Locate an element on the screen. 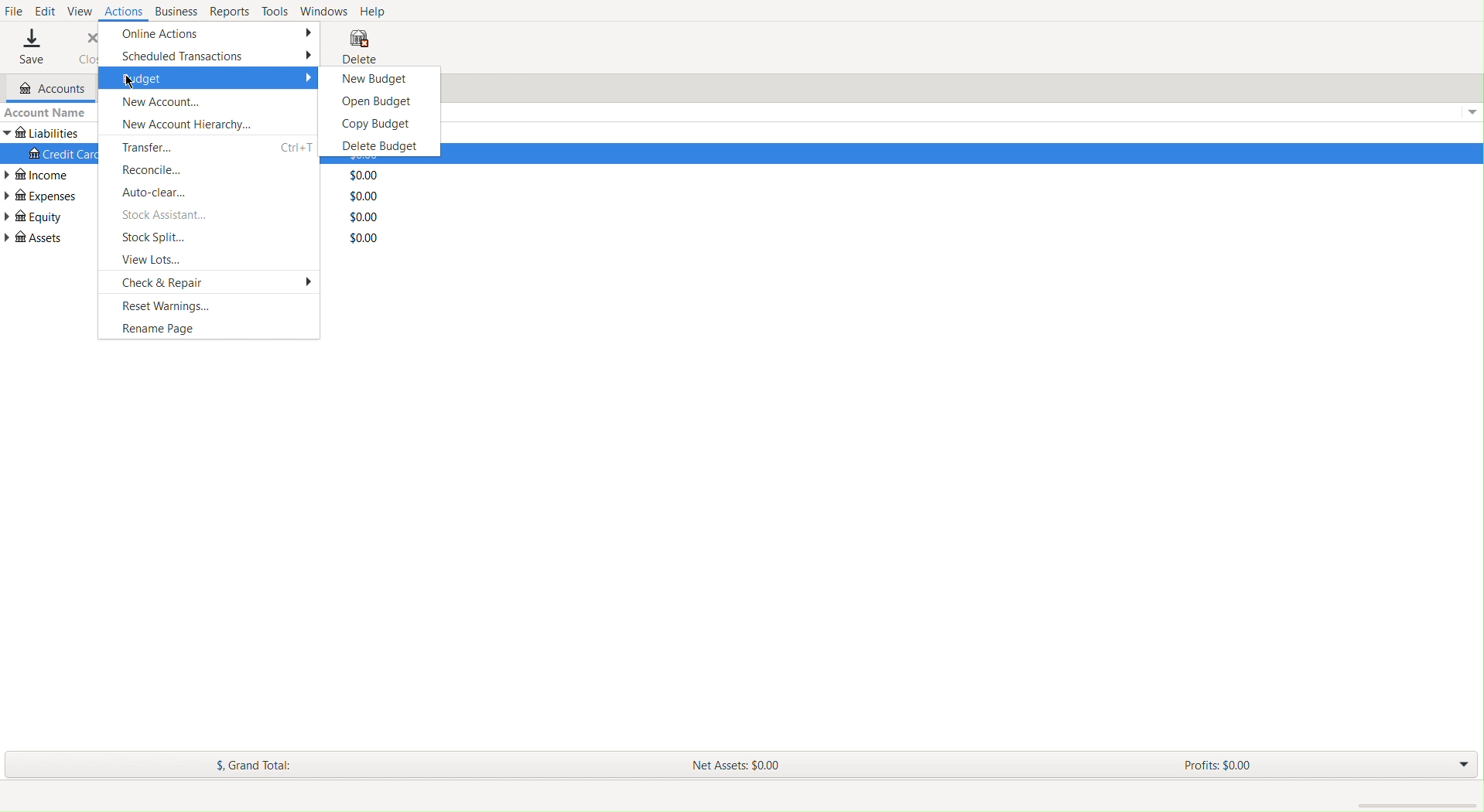 The height and width of the screenshot is (812, 1484). Online Actions is located at coordinates (210, 33).